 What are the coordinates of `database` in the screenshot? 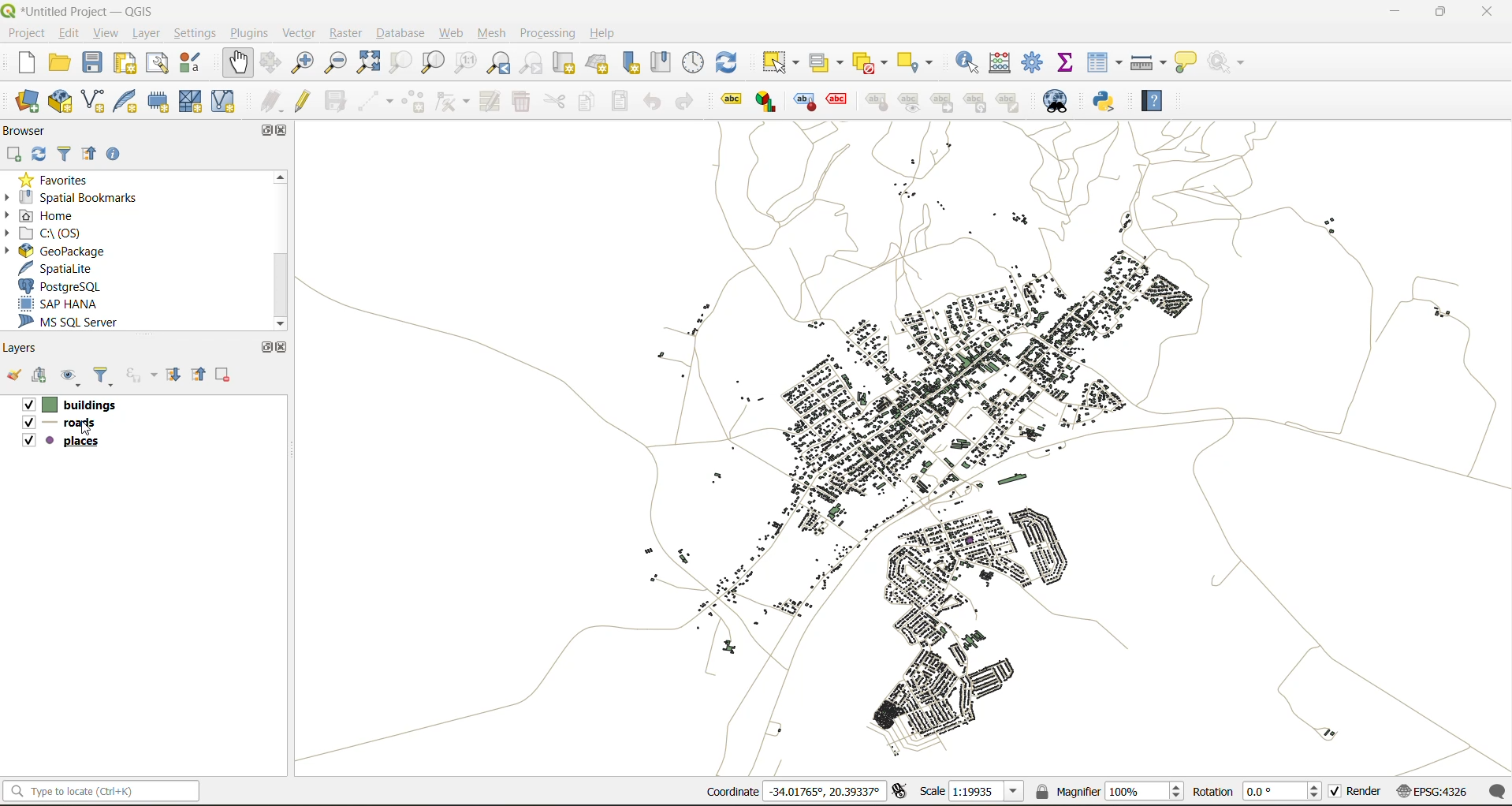 It's located at (400, 34).